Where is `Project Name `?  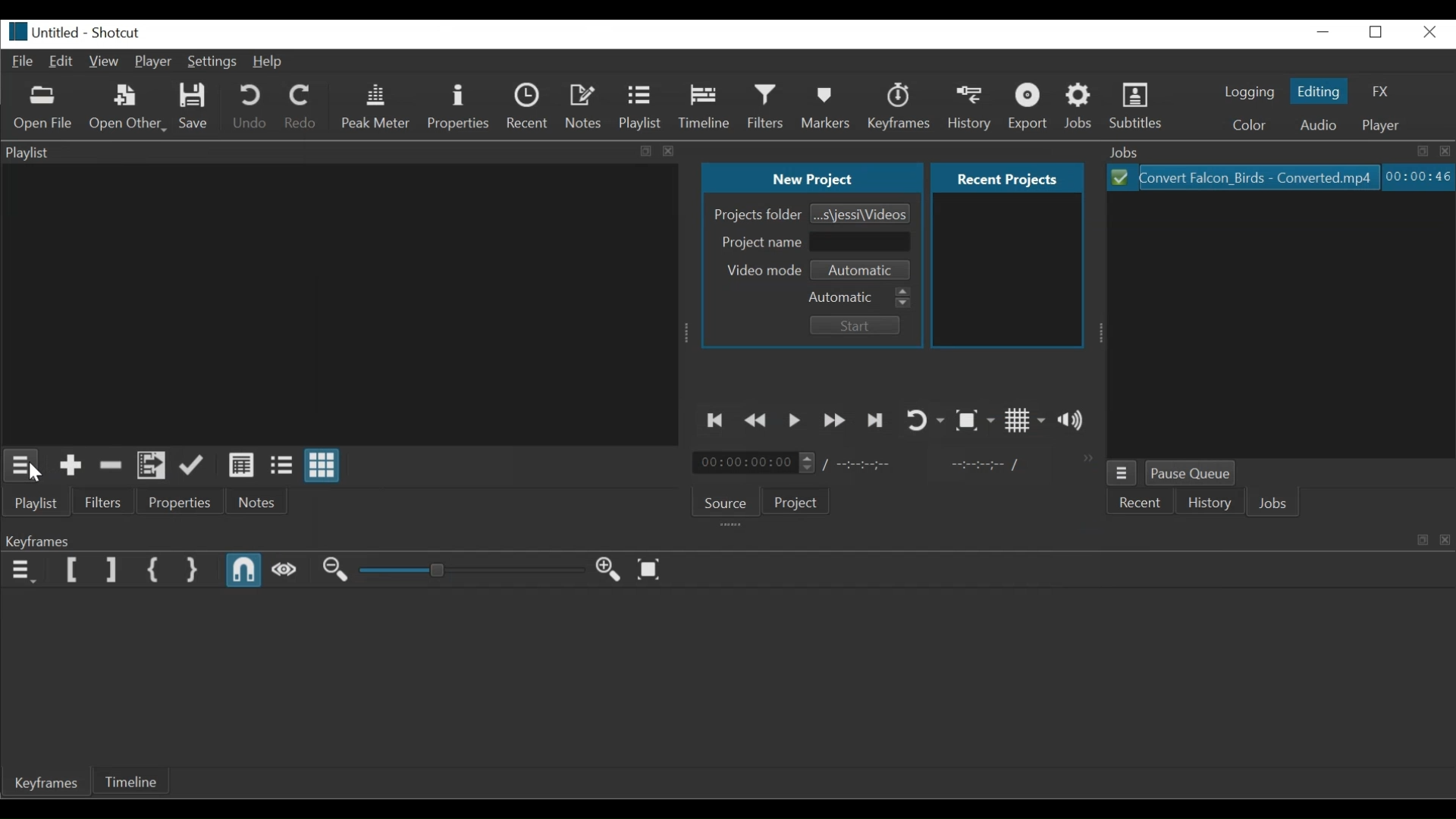 Project Name  is located at coordinates (758, 242).